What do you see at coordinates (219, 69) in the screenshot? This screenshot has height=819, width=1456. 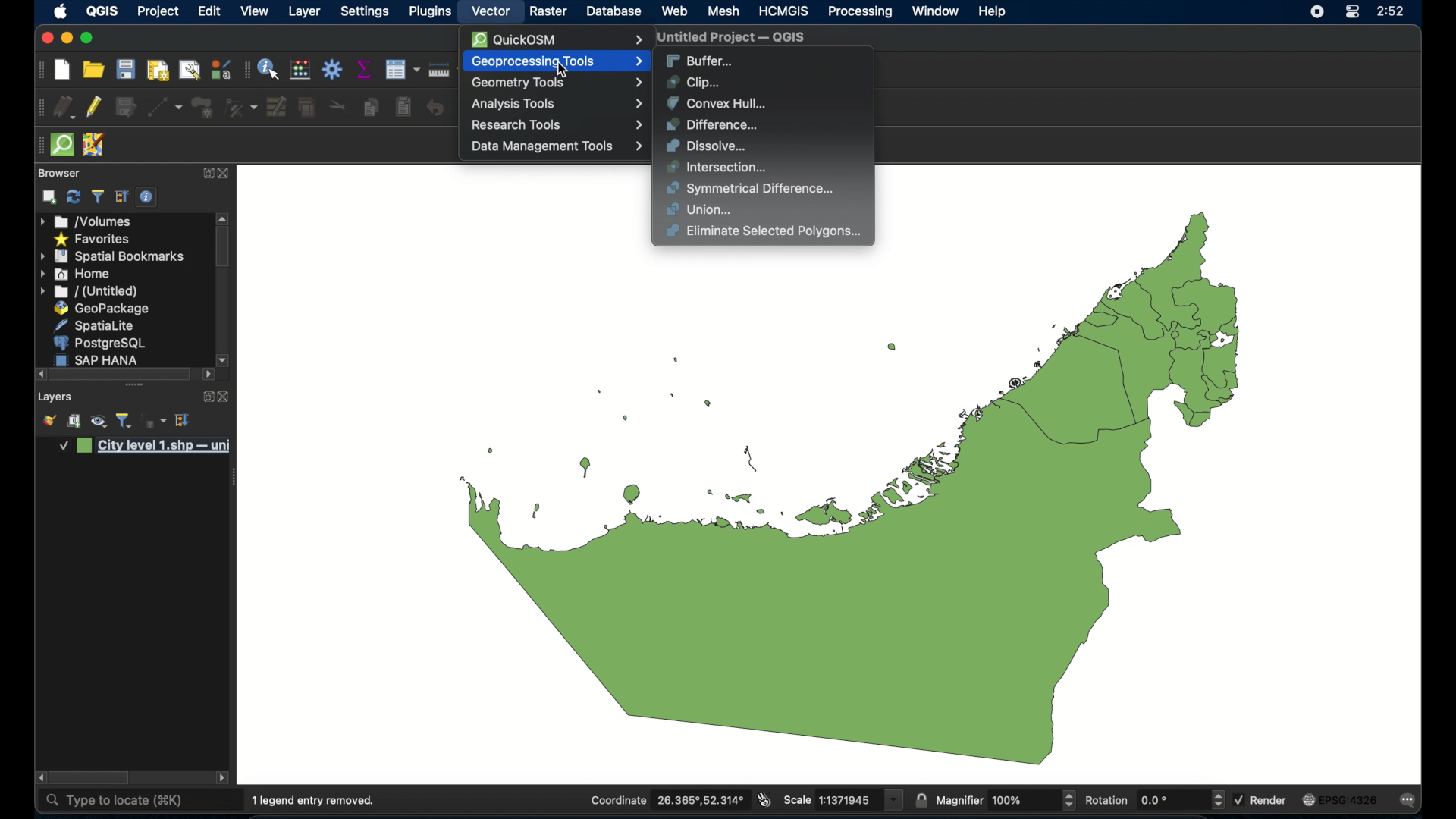 I see `style manager` at bounding box center [219, 69].